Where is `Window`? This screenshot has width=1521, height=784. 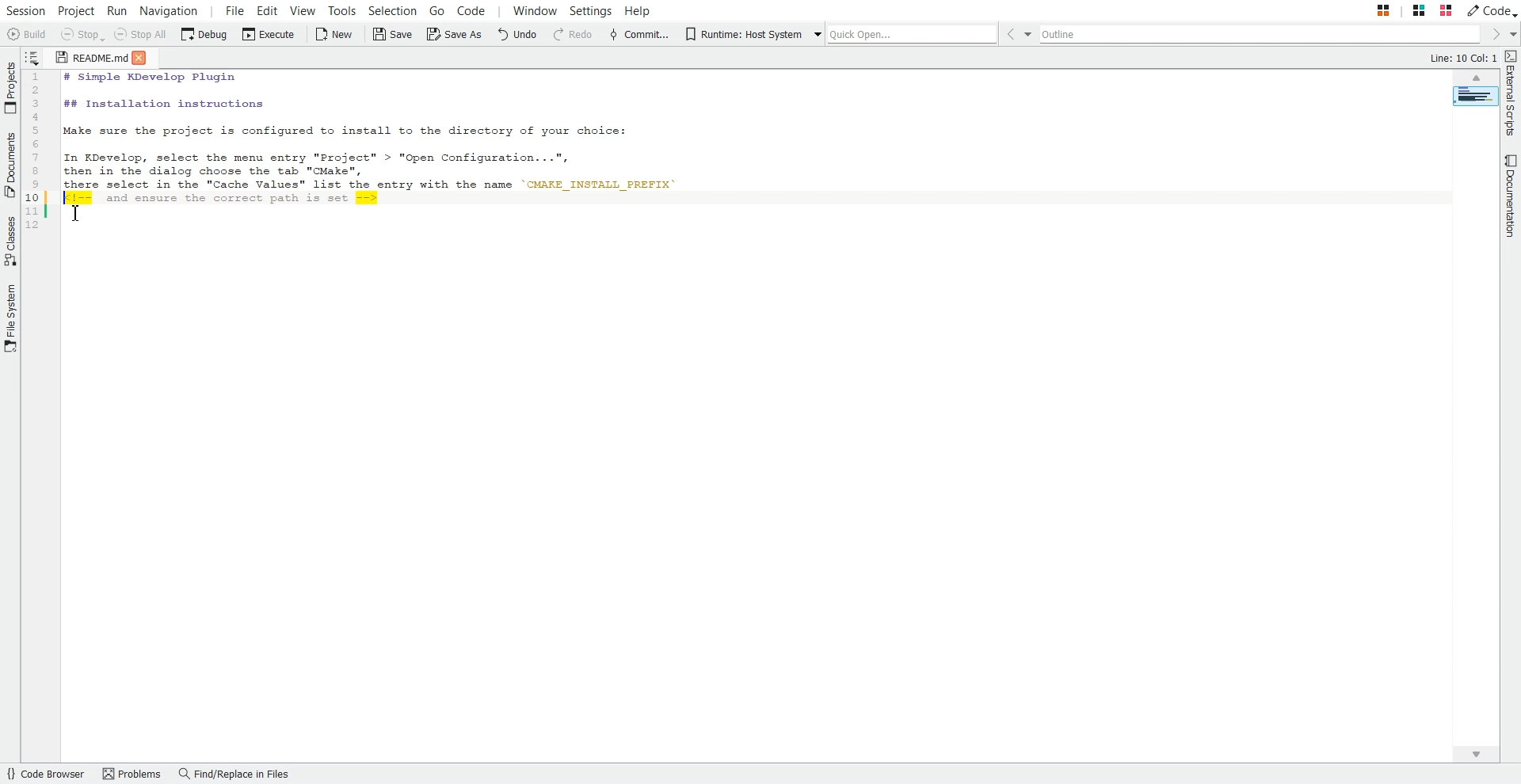
Window is located at coordinates (535, 10).